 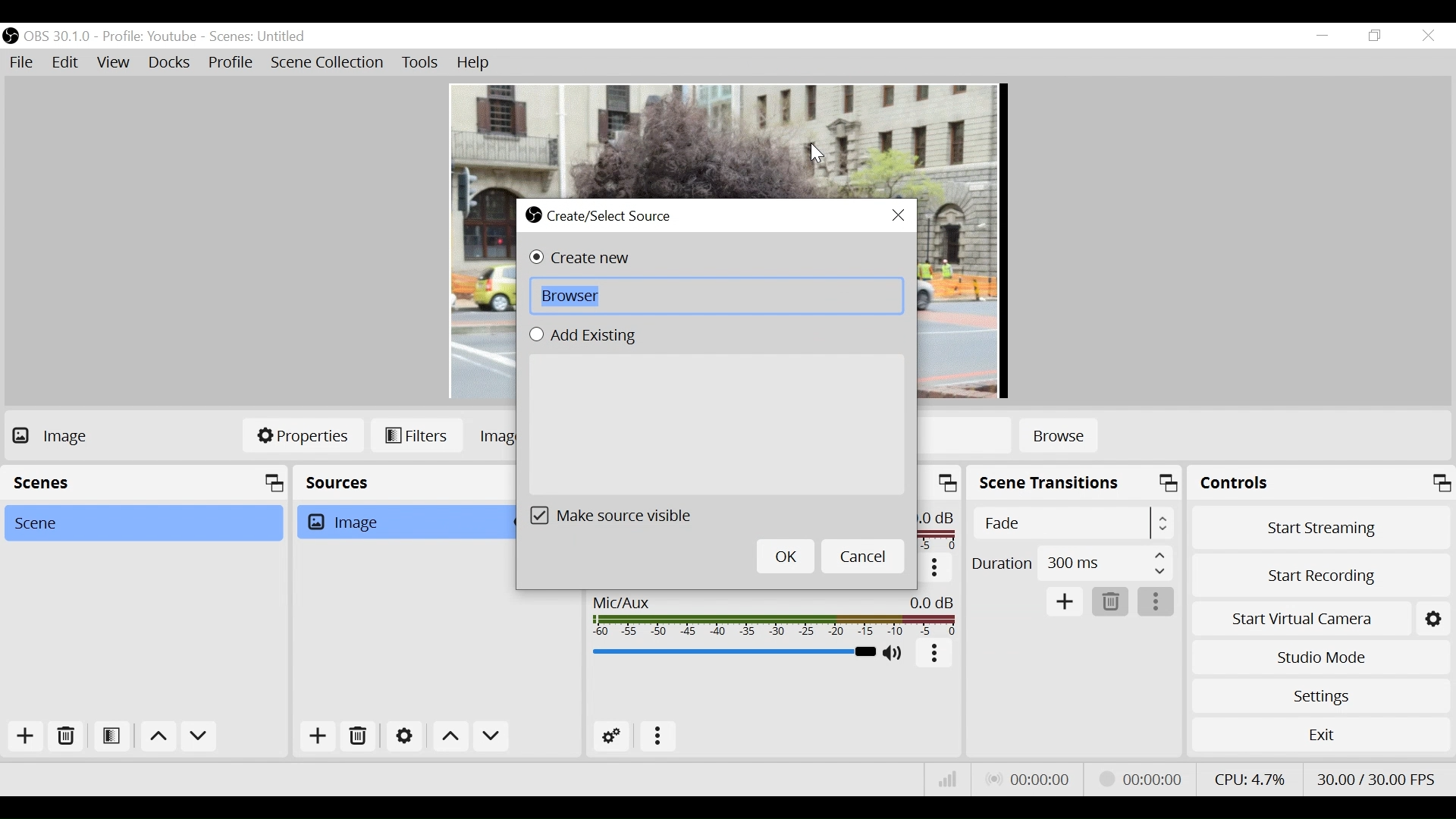 What do you see at coordinates (899, 214) in the screenshot?
I see `Close` at bounding box center [899, 214].